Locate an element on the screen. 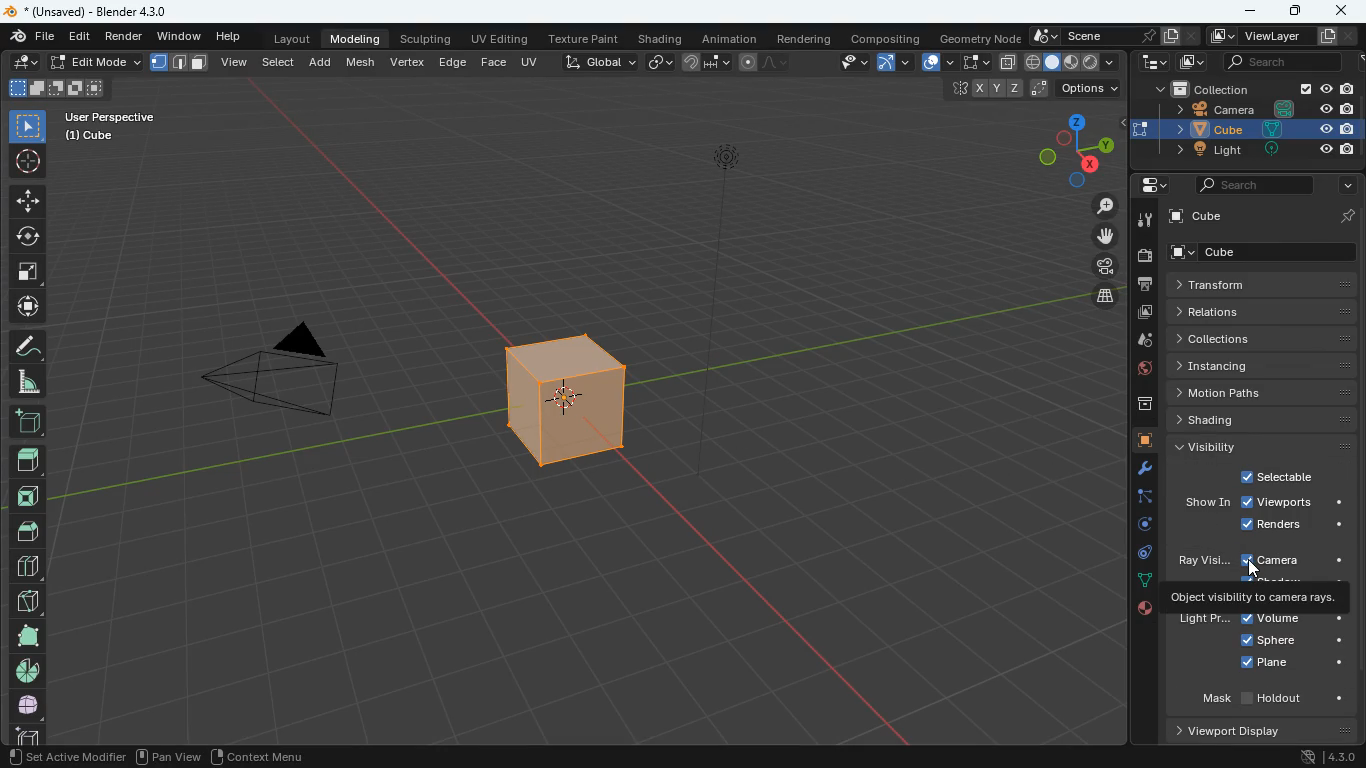 The width and height of the screenshot is (1366, 768). add is located at coordinates (321, 64).